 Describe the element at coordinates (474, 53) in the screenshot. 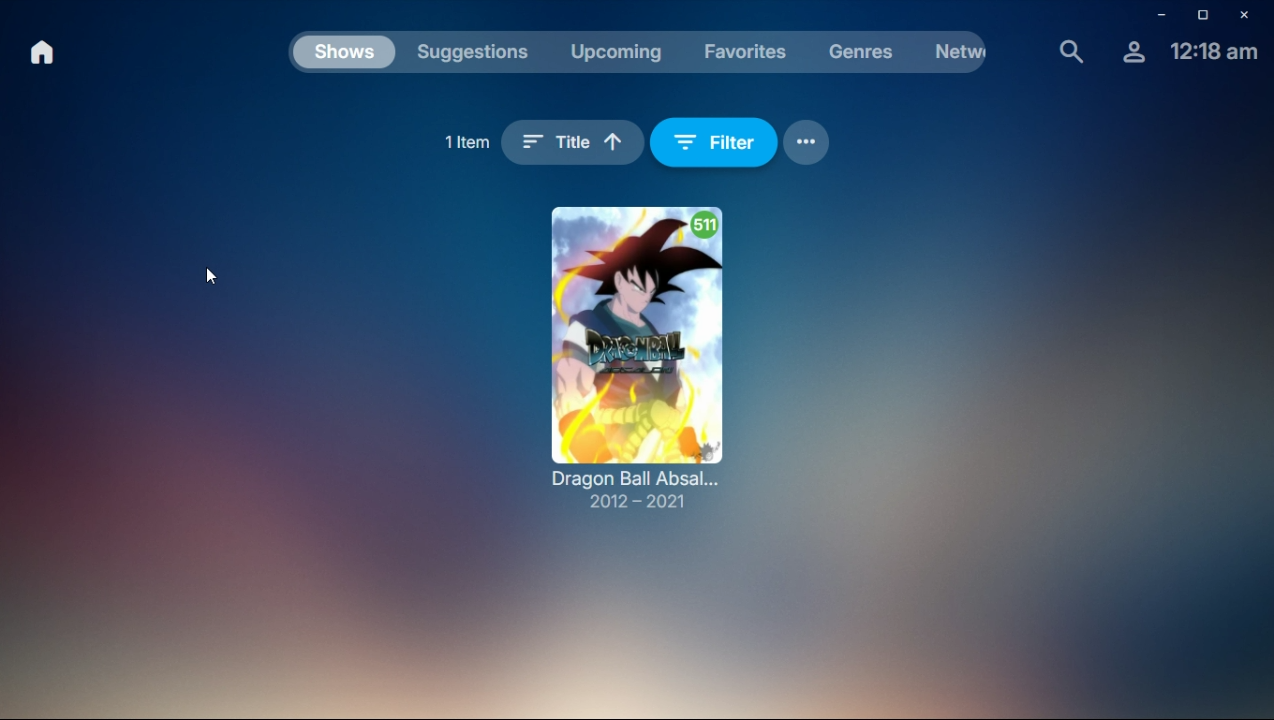

I see `suggestions` at that location.